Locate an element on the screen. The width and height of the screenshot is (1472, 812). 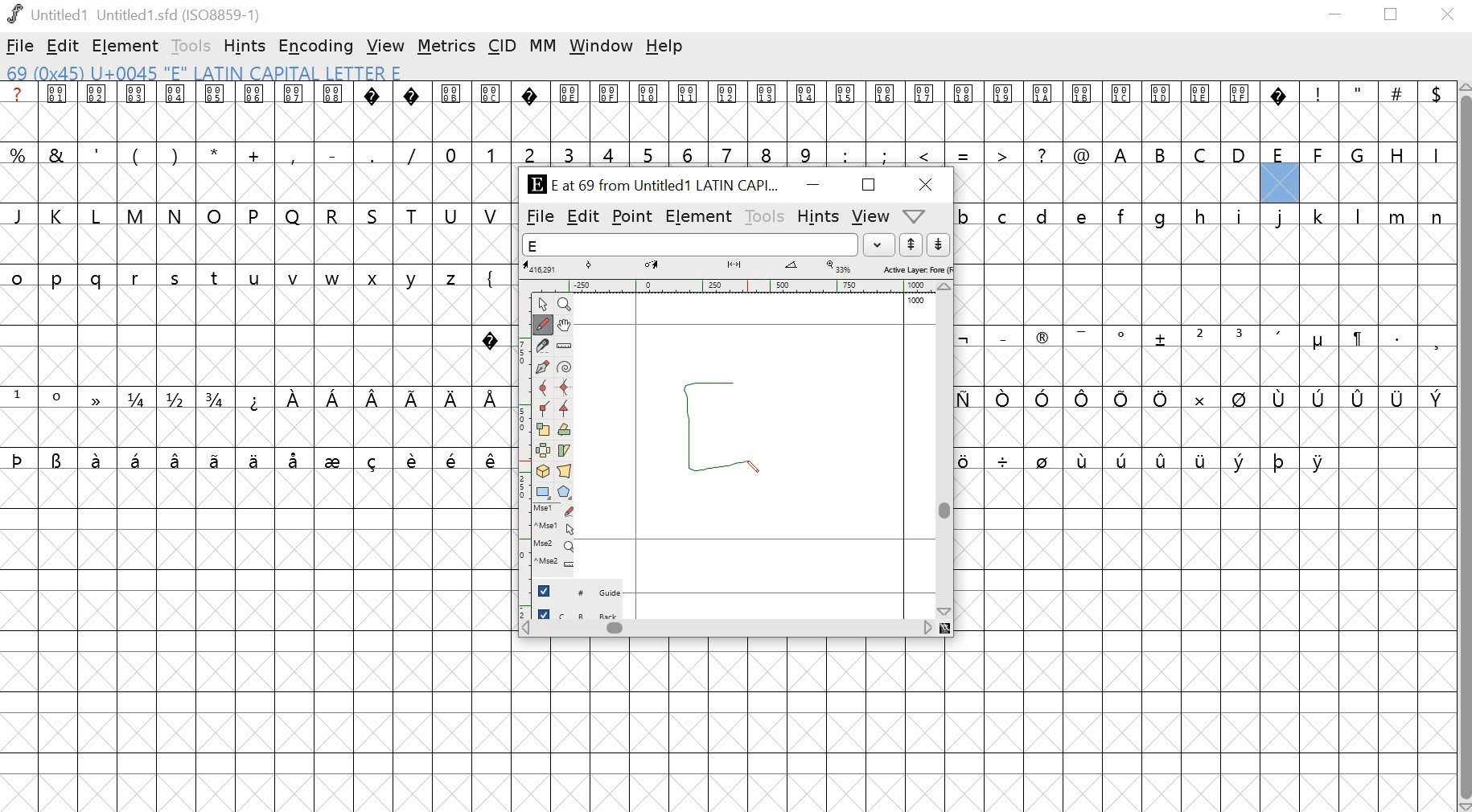
Rectangle/ellipse is located at coordinates (542, 493).